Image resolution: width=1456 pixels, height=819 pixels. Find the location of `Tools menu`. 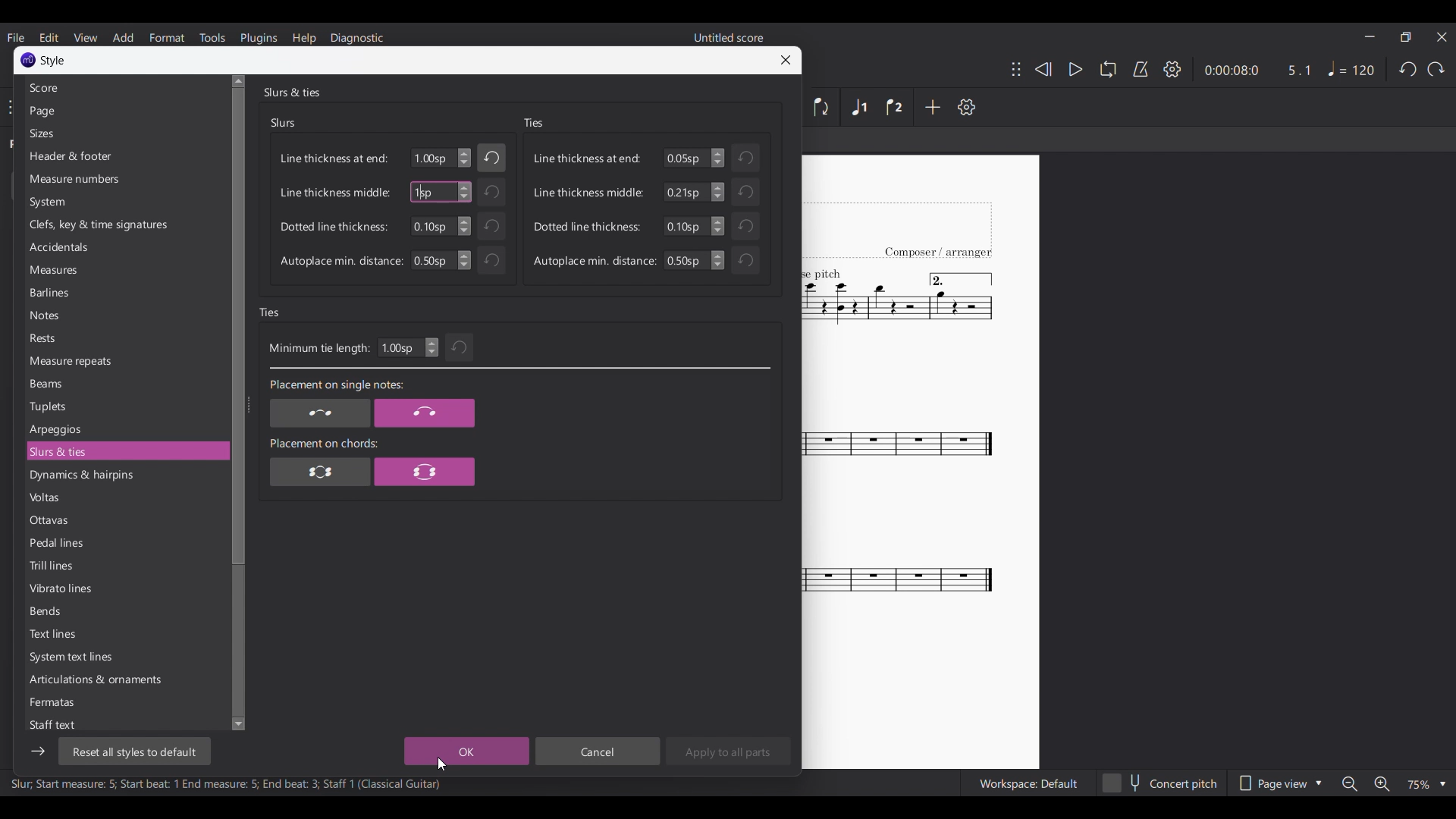

Tools menu is located at coordinates (212, 37).